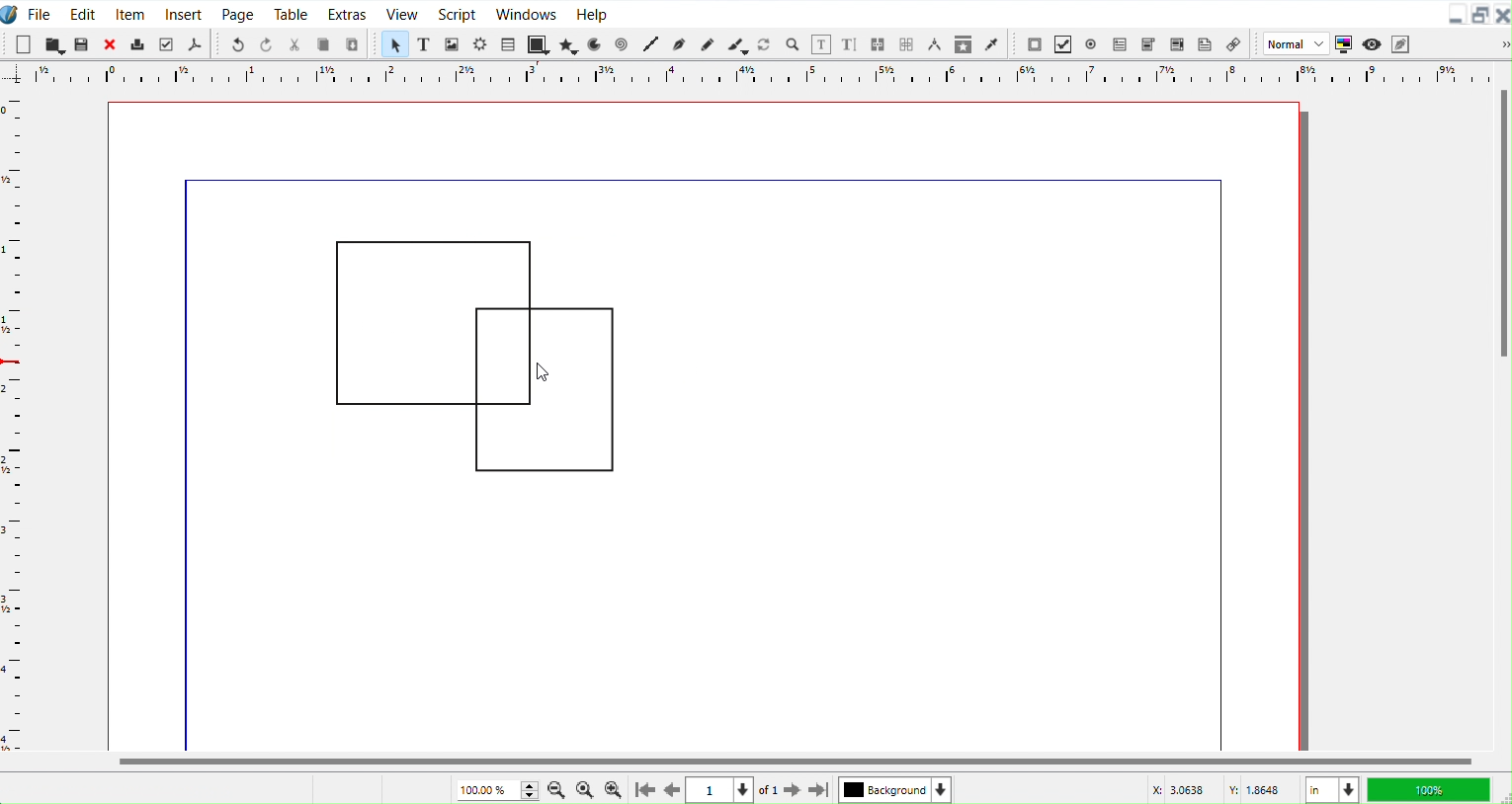 The width and height of the screenshot is (1512, 804). I want to click on Page, so click(236, 13).